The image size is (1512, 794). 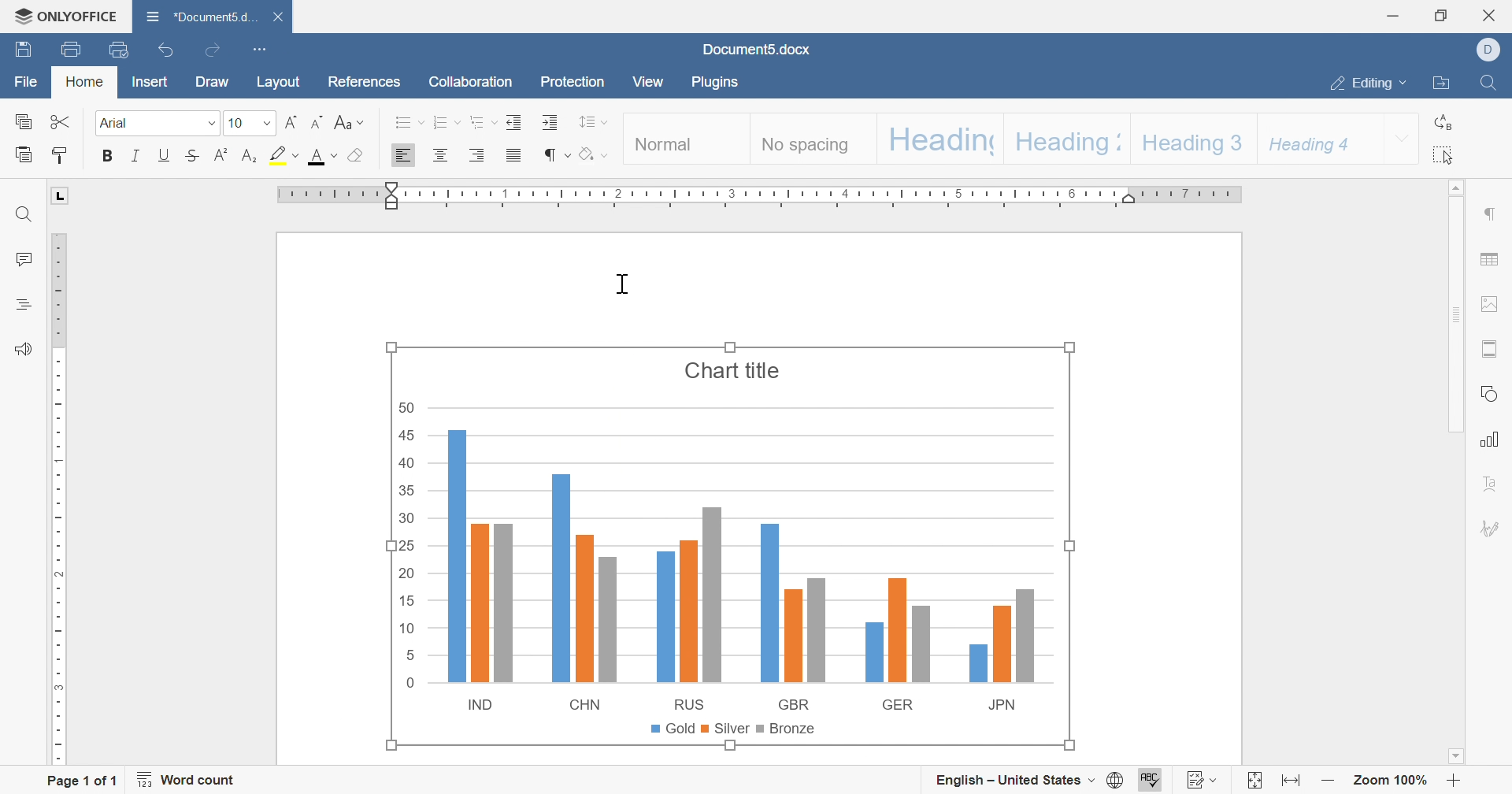 What do you see at coordinates (210, 82) in the screenshot?
I see `draw` at bounding box center [210, 82].